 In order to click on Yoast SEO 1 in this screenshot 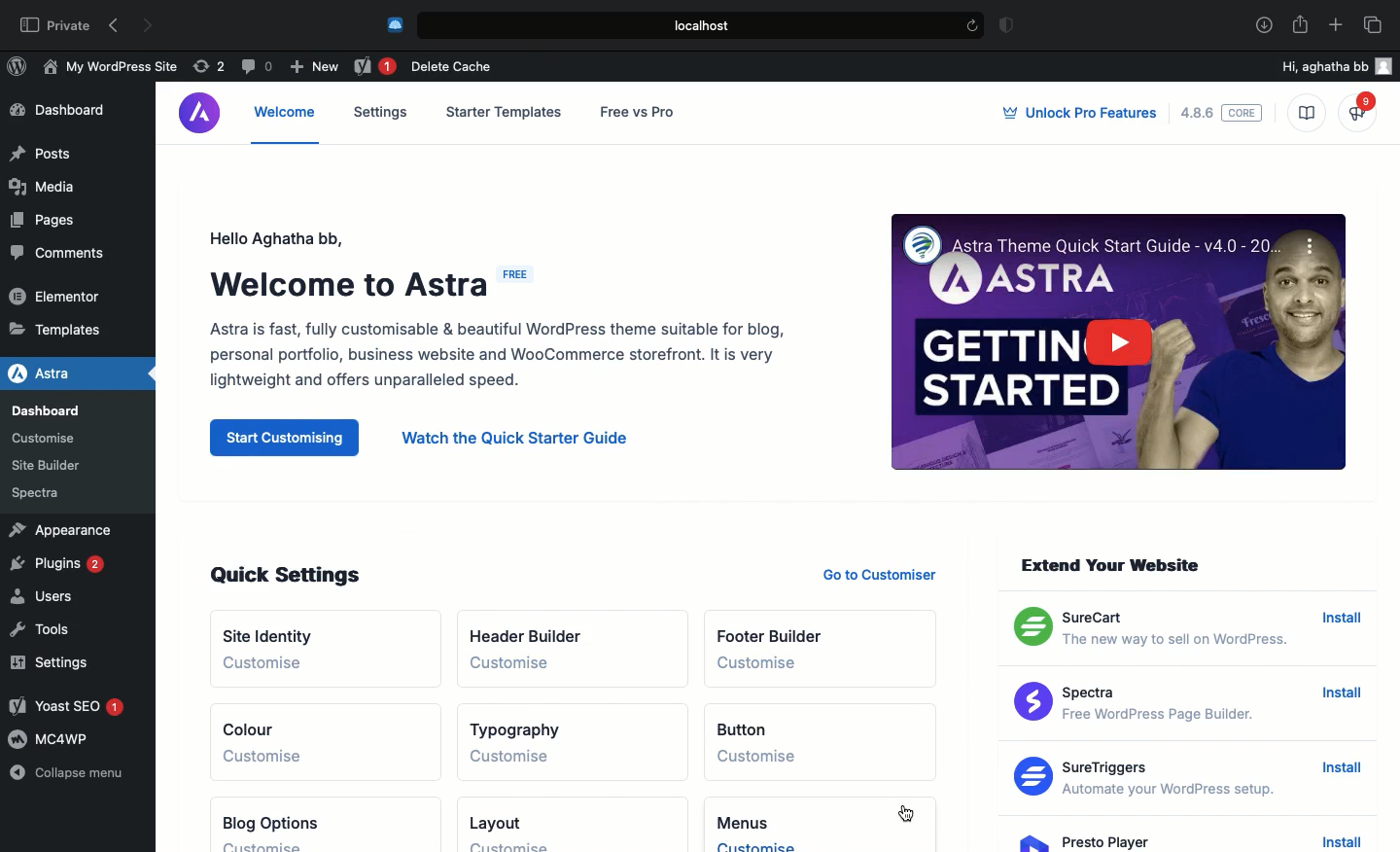, I will do `click(66, 706)`.